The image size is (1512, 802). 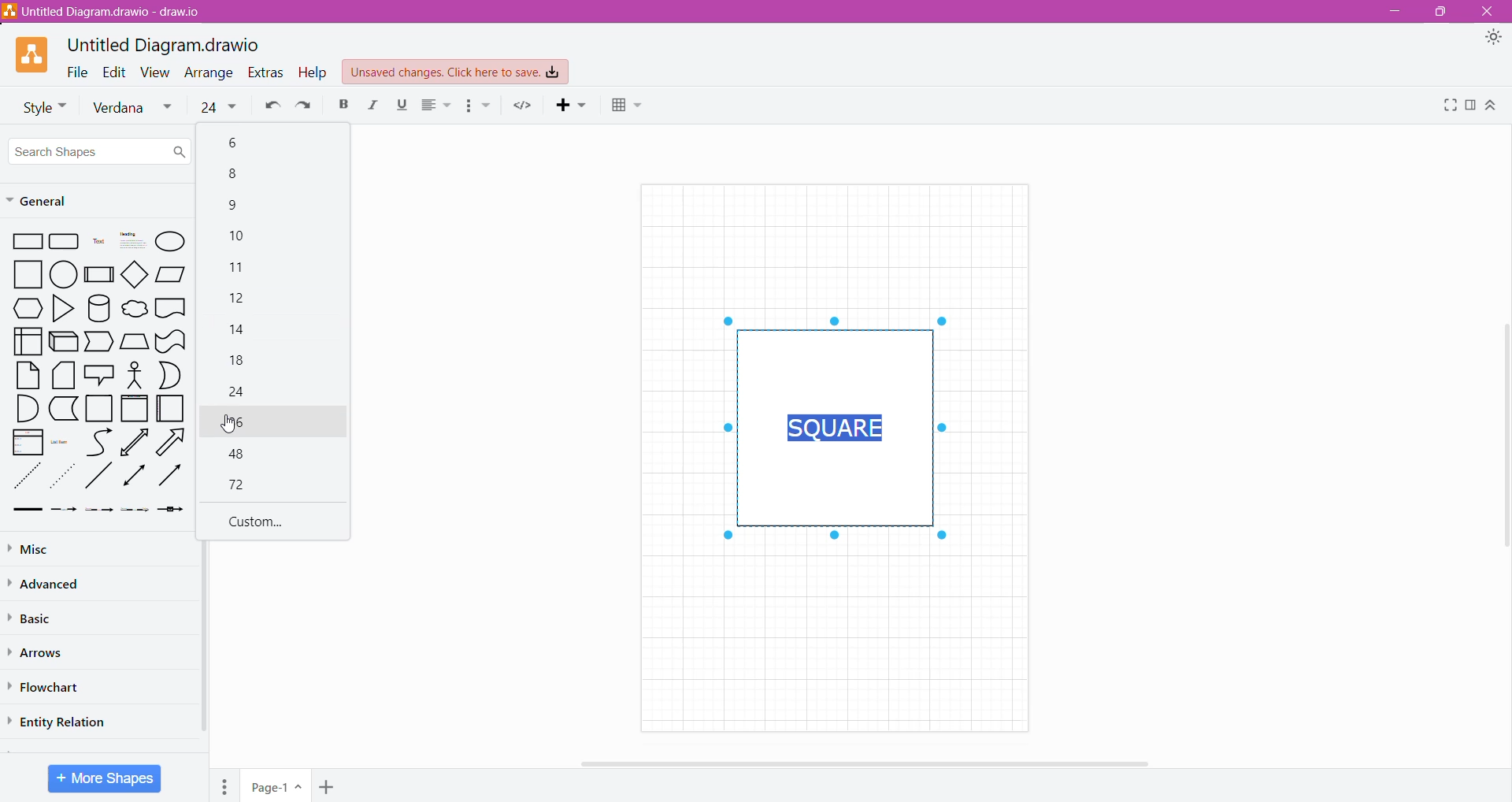 What do you see at coordinates (53, 202) in the screenshot?
I see `General` at bounding box center [53, 202].